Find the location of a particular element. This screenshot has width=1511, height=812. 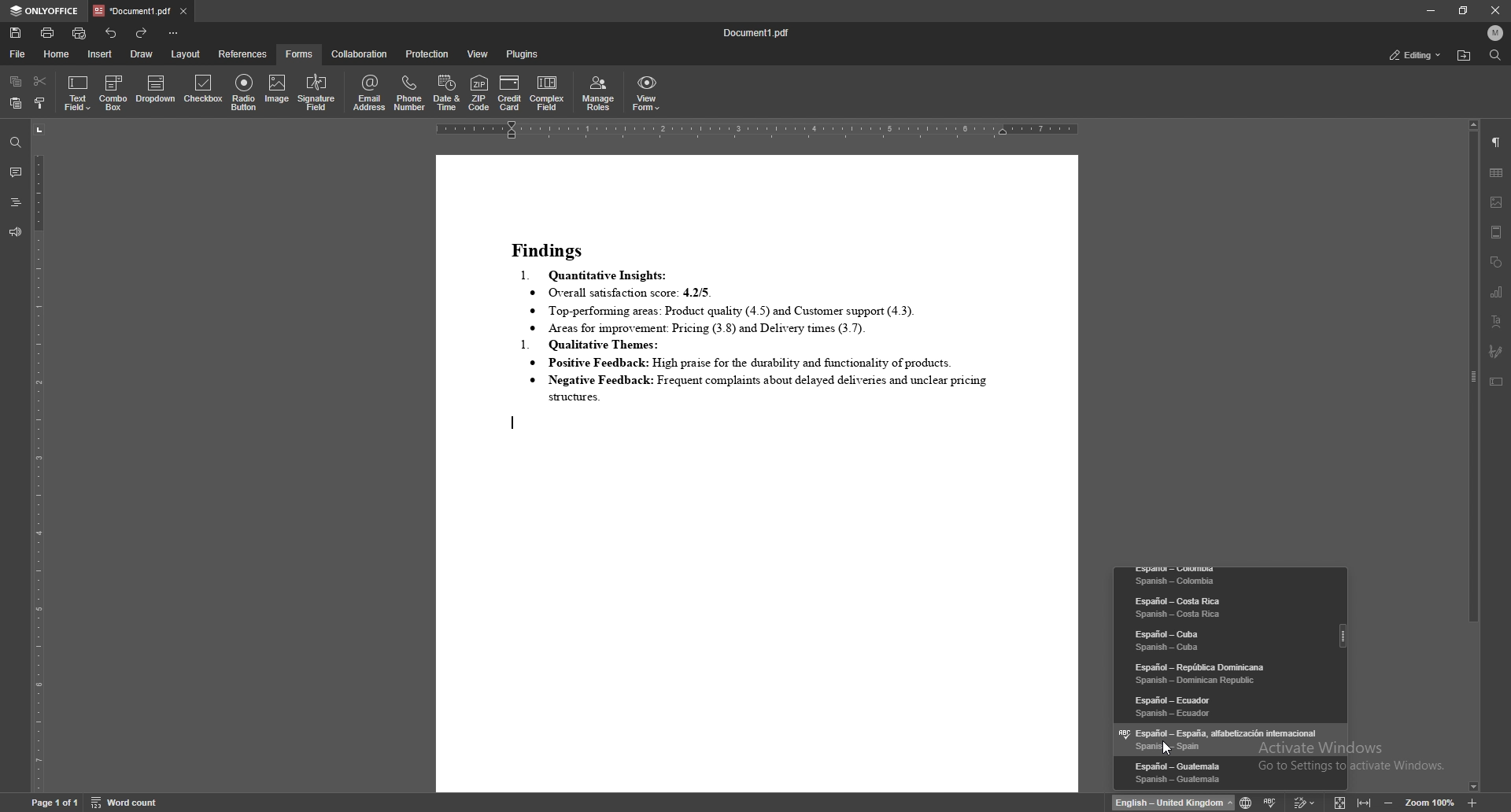

file is located at coordinates (18, 54).